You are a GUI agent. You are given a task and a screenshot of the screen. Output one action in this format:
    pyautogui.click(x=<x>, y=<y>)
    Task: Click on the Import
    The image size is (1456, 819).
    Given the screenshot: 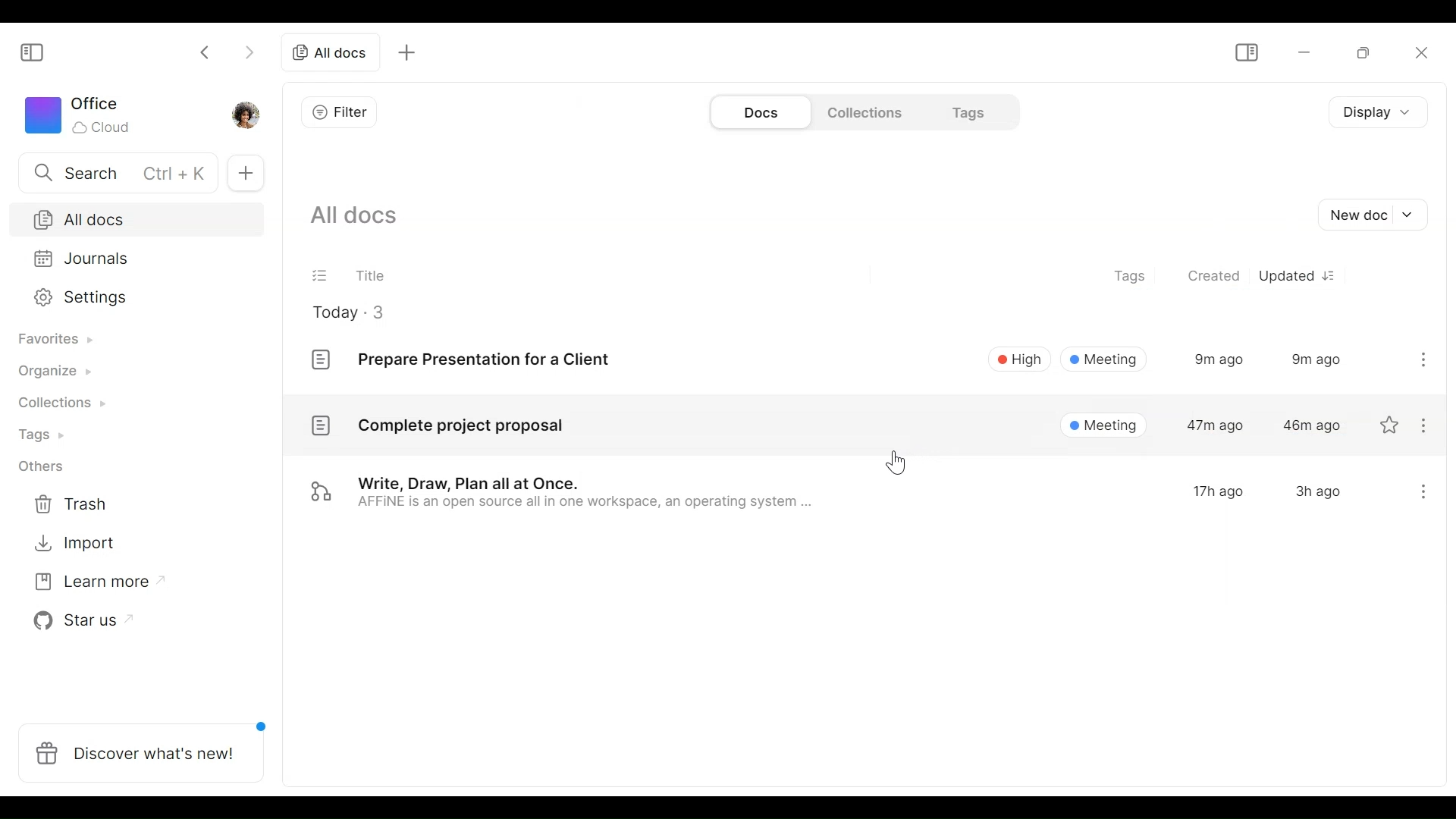 What is the action you would take?
    pyautogui.click(x=79, y=544)
    